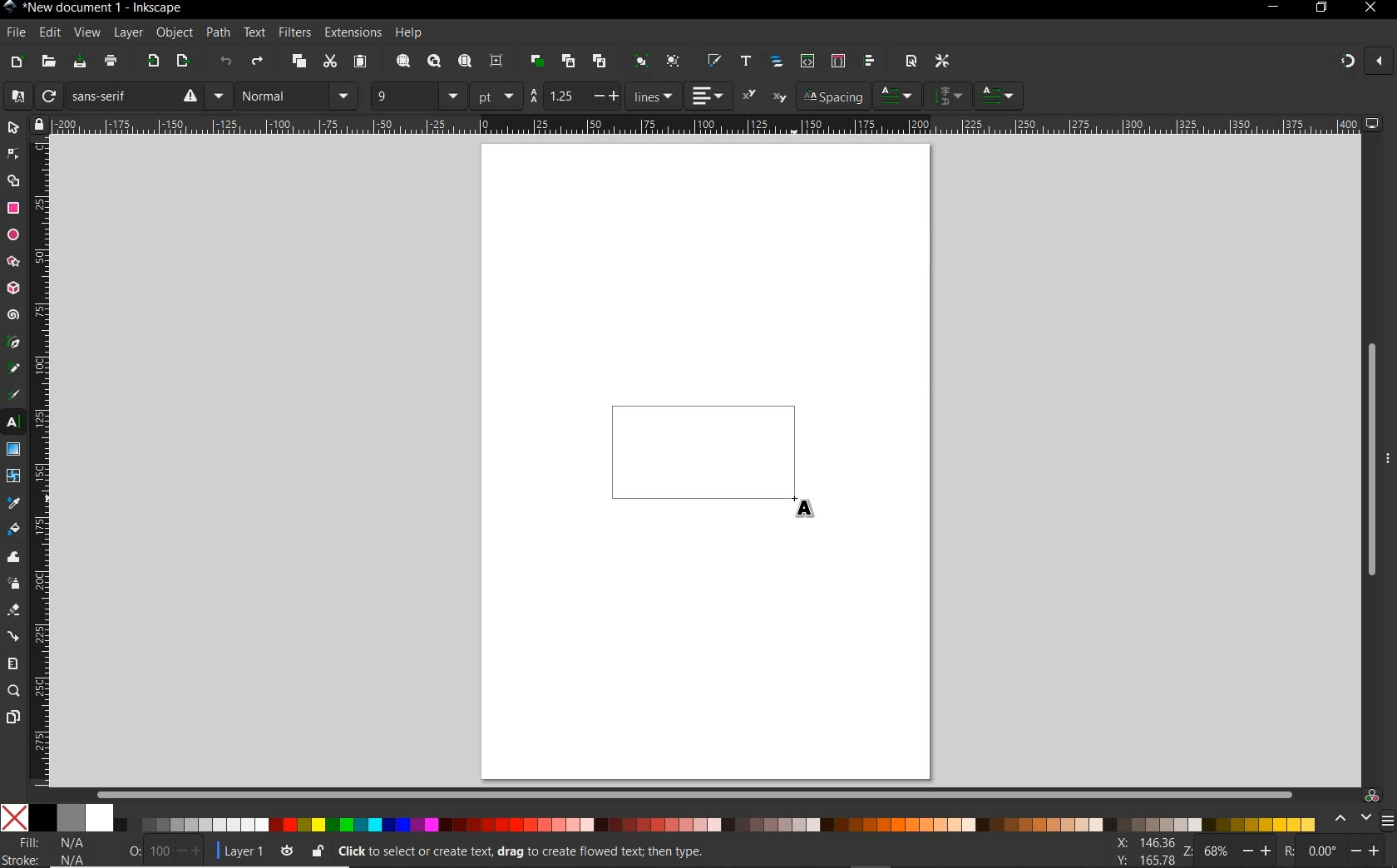 The width and height of the screenshot is (1397, 868). I want to click on text tool, so click(13, 423).